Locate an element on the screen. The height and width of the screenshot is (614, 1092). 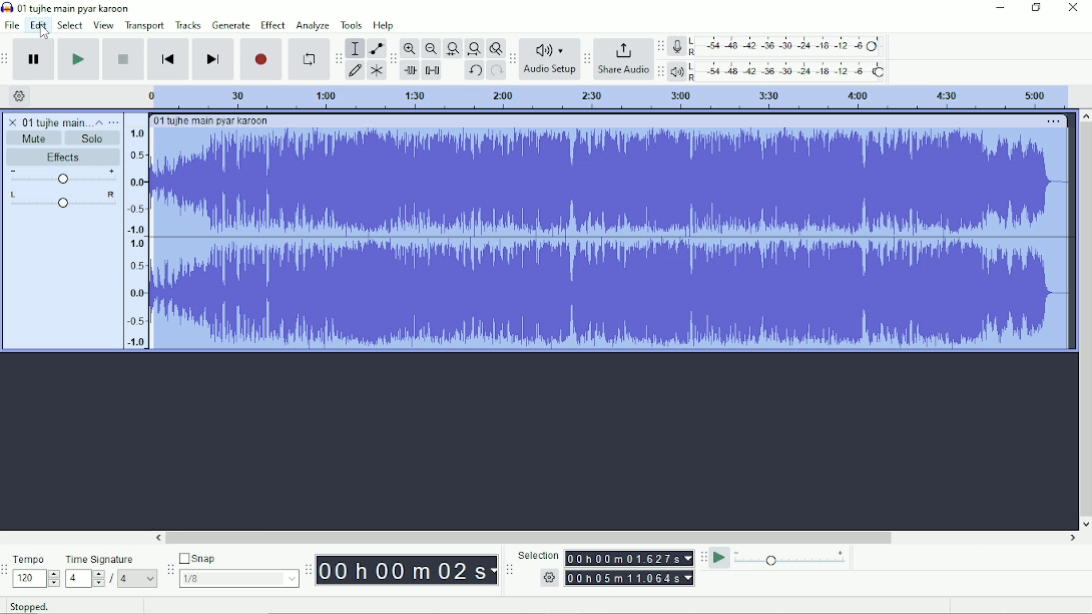
Fit selection to width is located at coordinates (452, 48).